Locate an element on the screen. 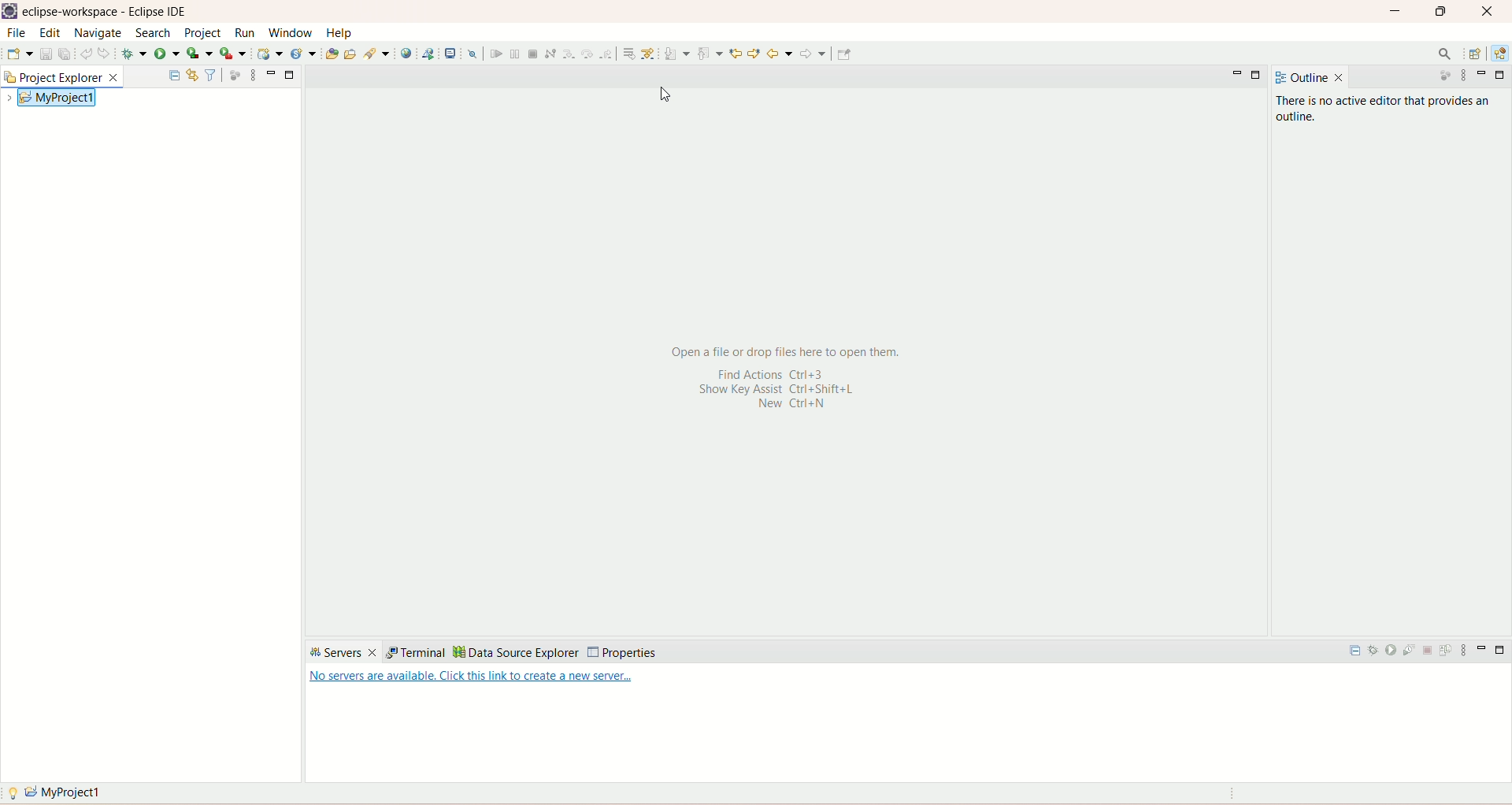  project explorer is located at coordinates (65, 77).